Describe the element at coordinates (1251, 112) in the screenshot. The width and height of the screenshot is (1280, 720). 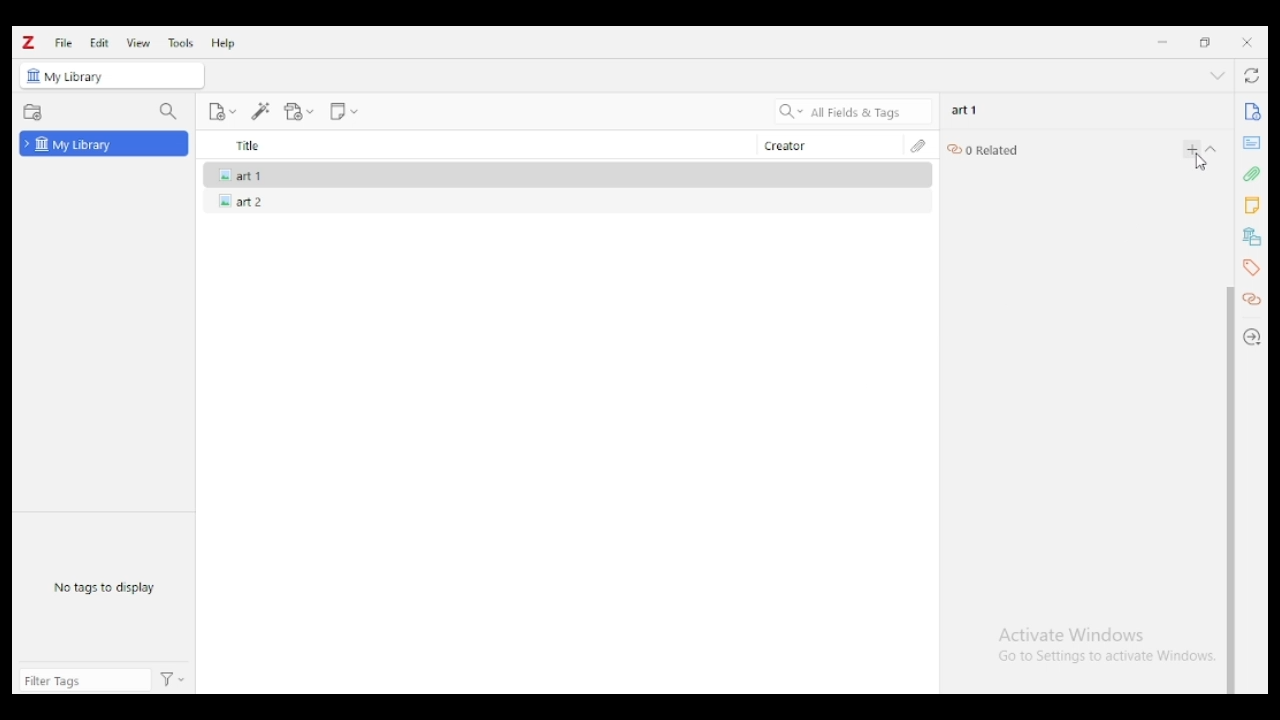
I see `info` at that location.